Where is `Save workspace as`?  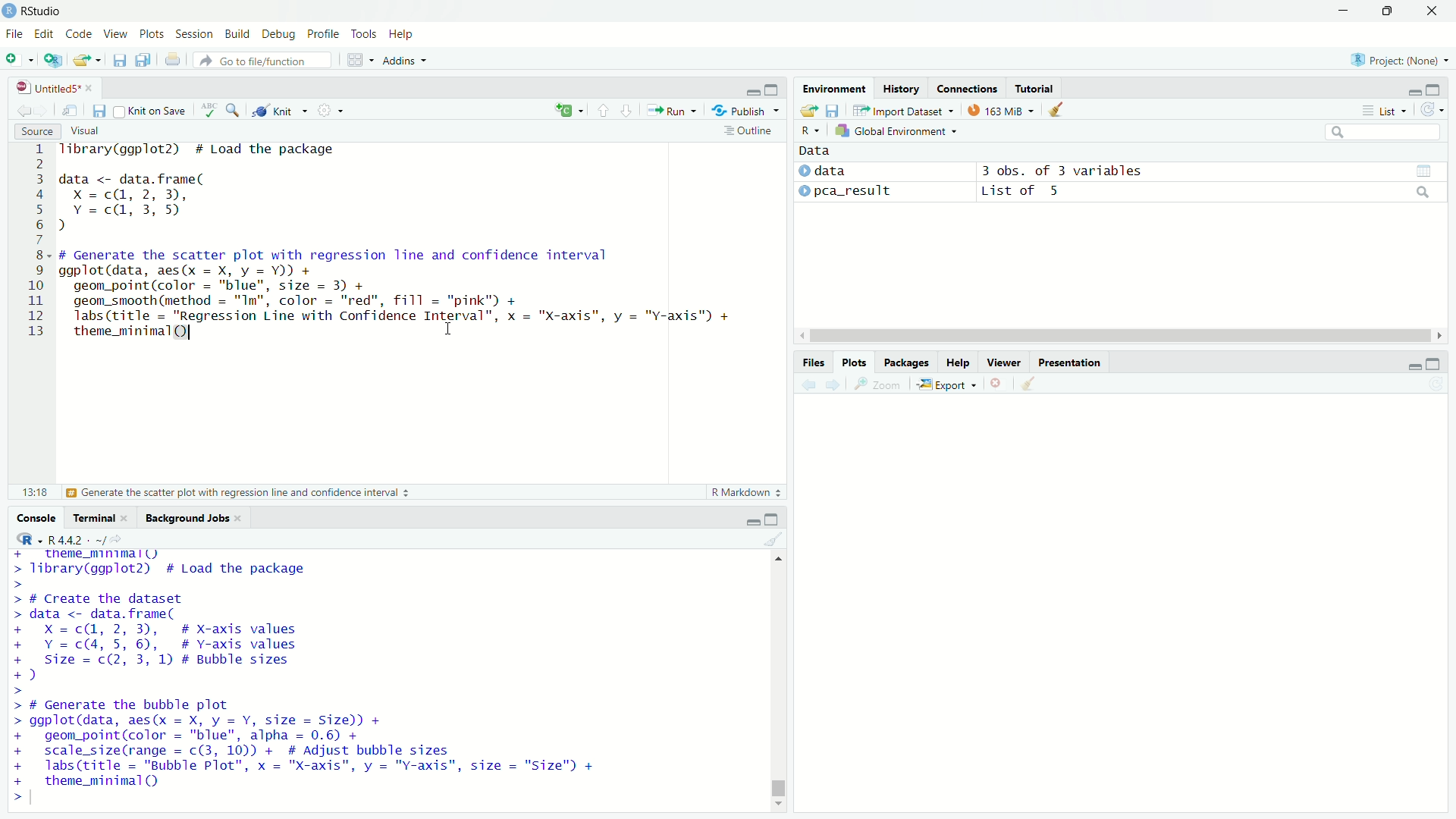 Save workspace as is located at coordinates (832, 109).